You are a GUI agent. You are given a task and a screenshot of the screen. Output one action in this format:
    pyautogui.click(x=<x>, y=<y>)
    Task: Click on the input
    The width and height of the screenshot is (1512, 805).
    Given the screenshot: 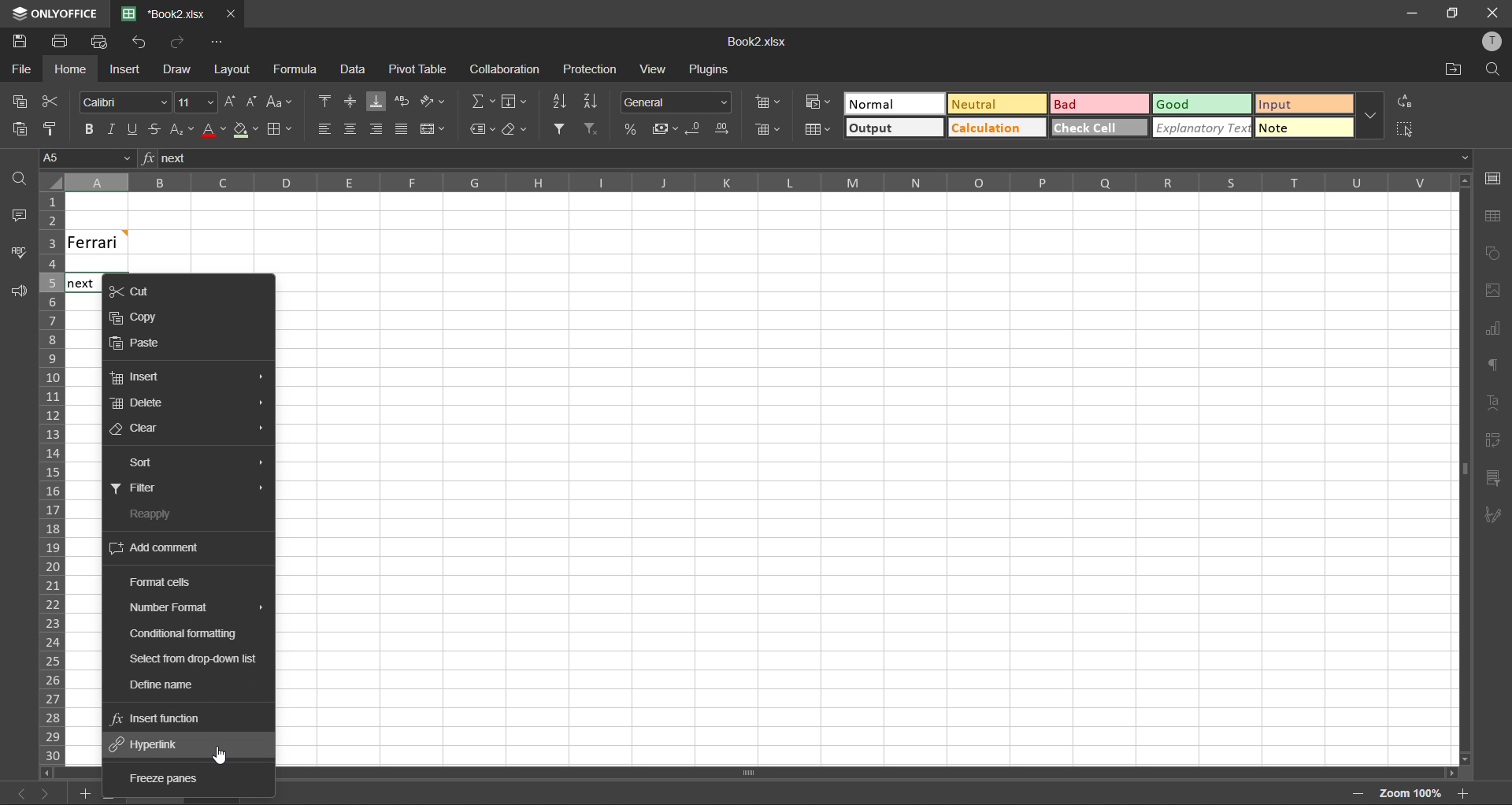 What is the action you would take?
    pyautogui.click(x=1297, y=104)
    